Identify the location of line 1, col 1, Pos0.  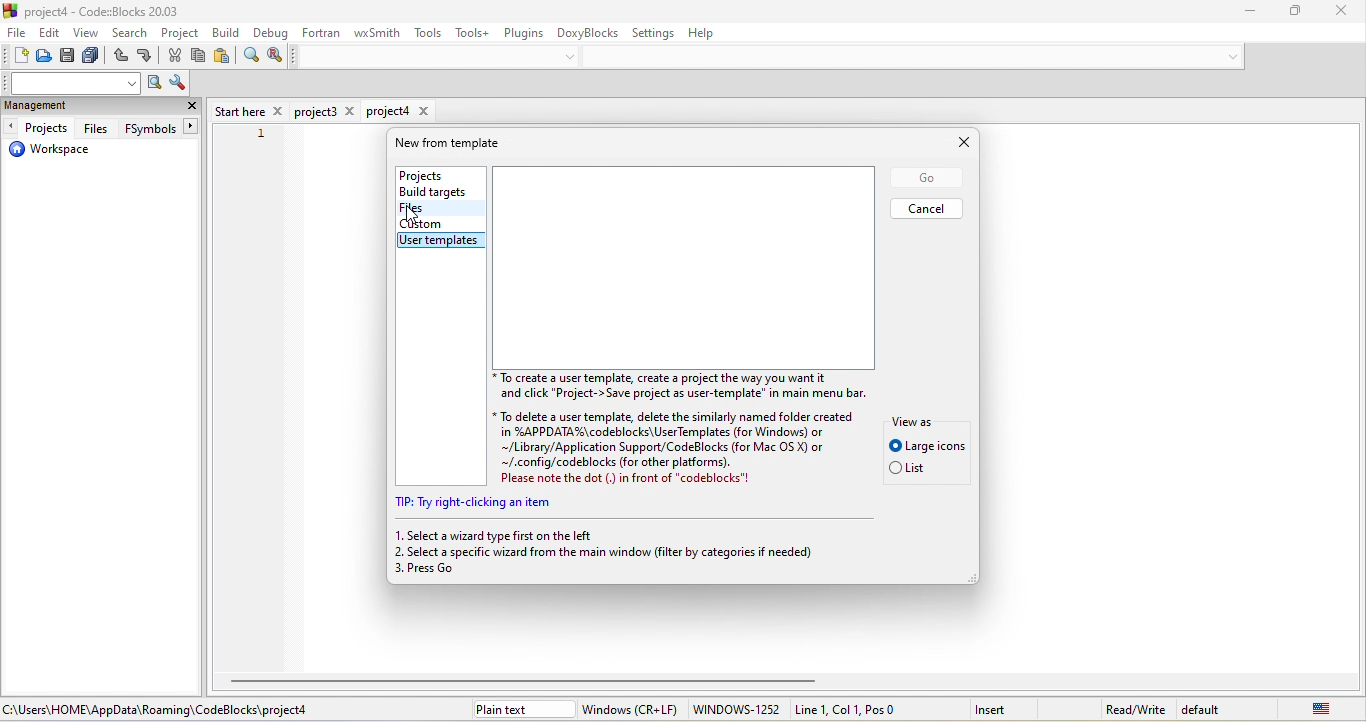
(869, 709).